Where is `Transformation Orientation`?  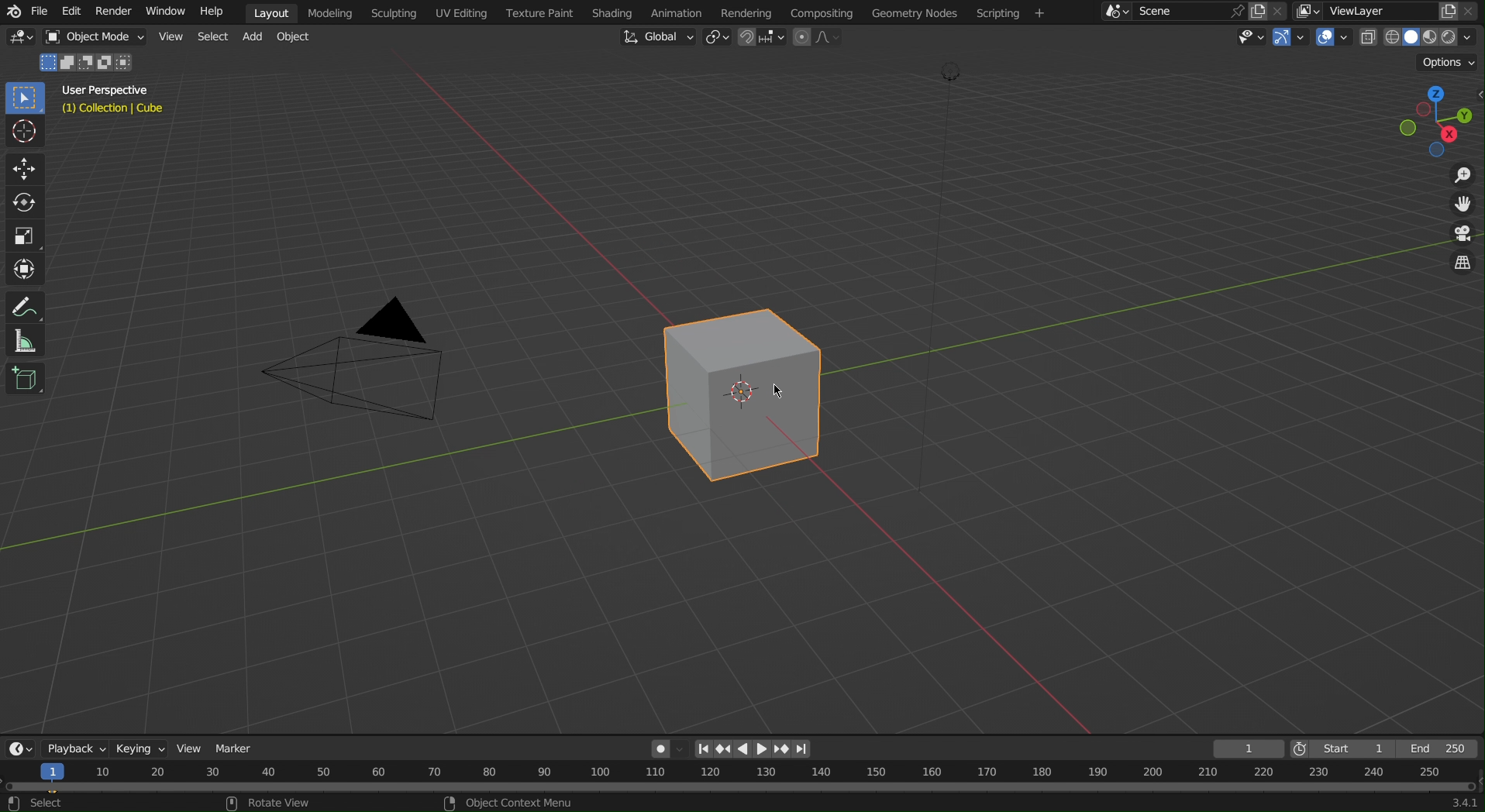 Transformation Orientation is located at coordinates (657, 40).